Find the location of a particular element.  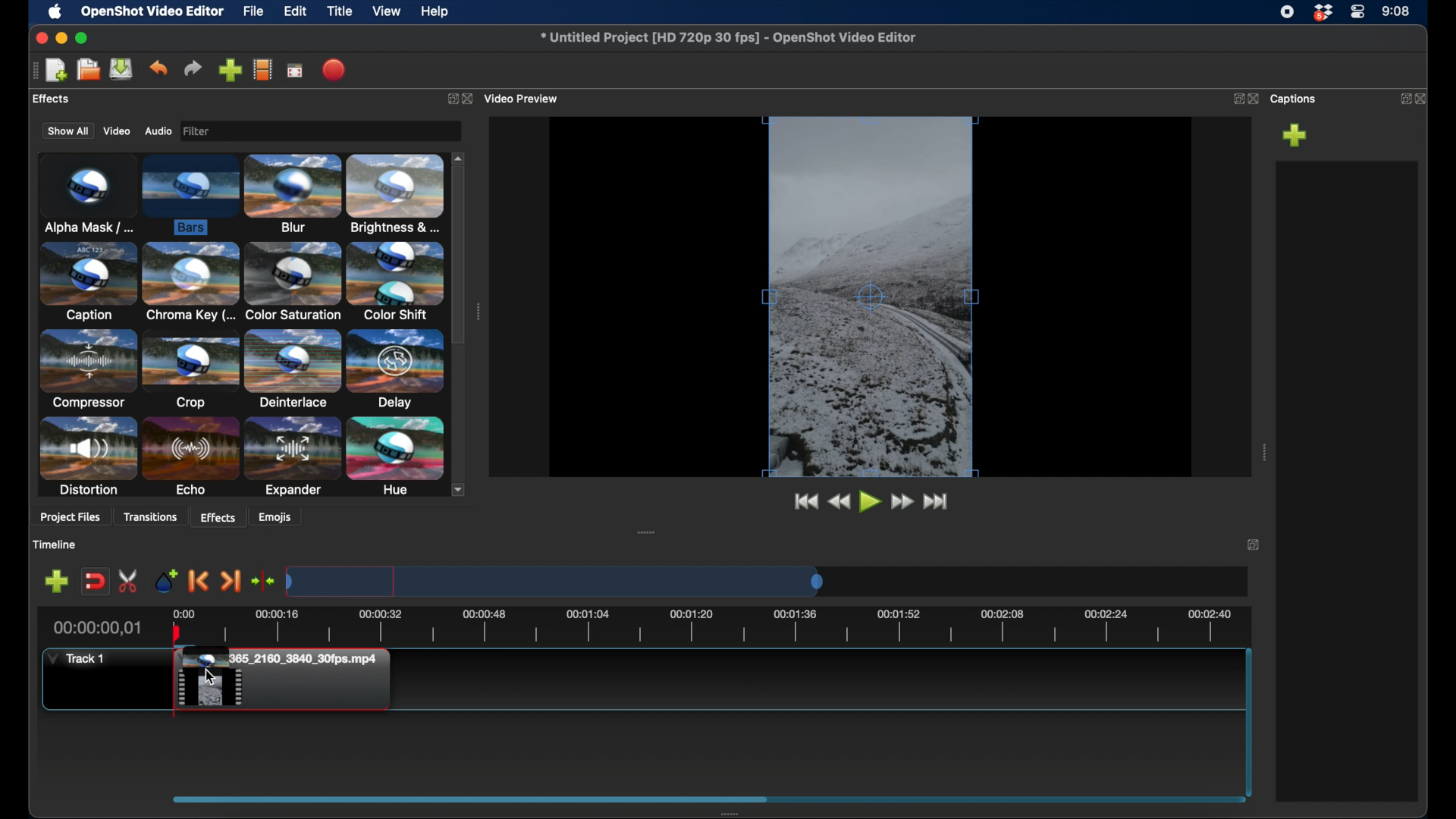

close is located at coordinates (39, 38).